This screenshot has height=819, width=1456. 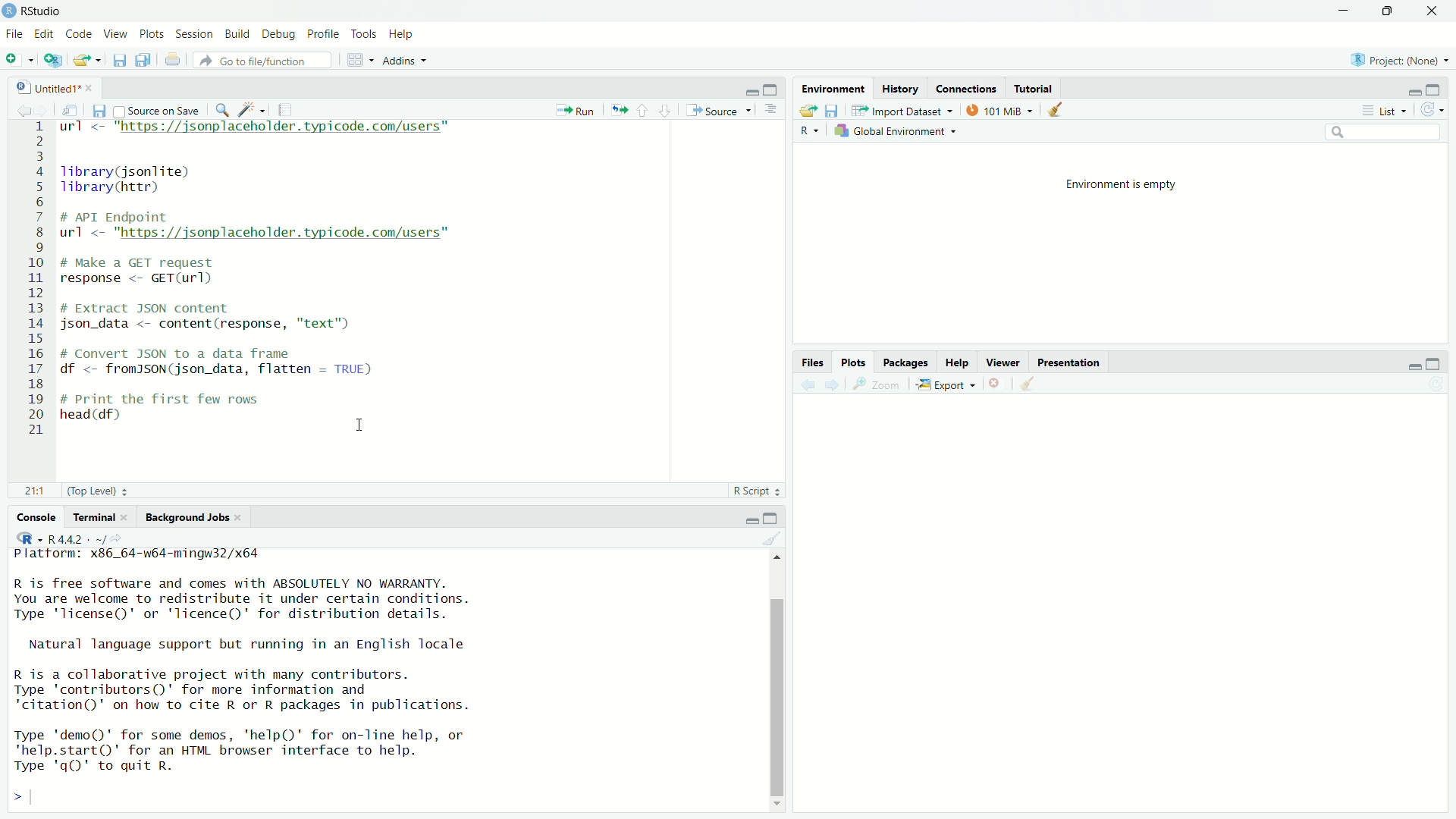 I want to click on Presentation, so click(x=1071, y=363).